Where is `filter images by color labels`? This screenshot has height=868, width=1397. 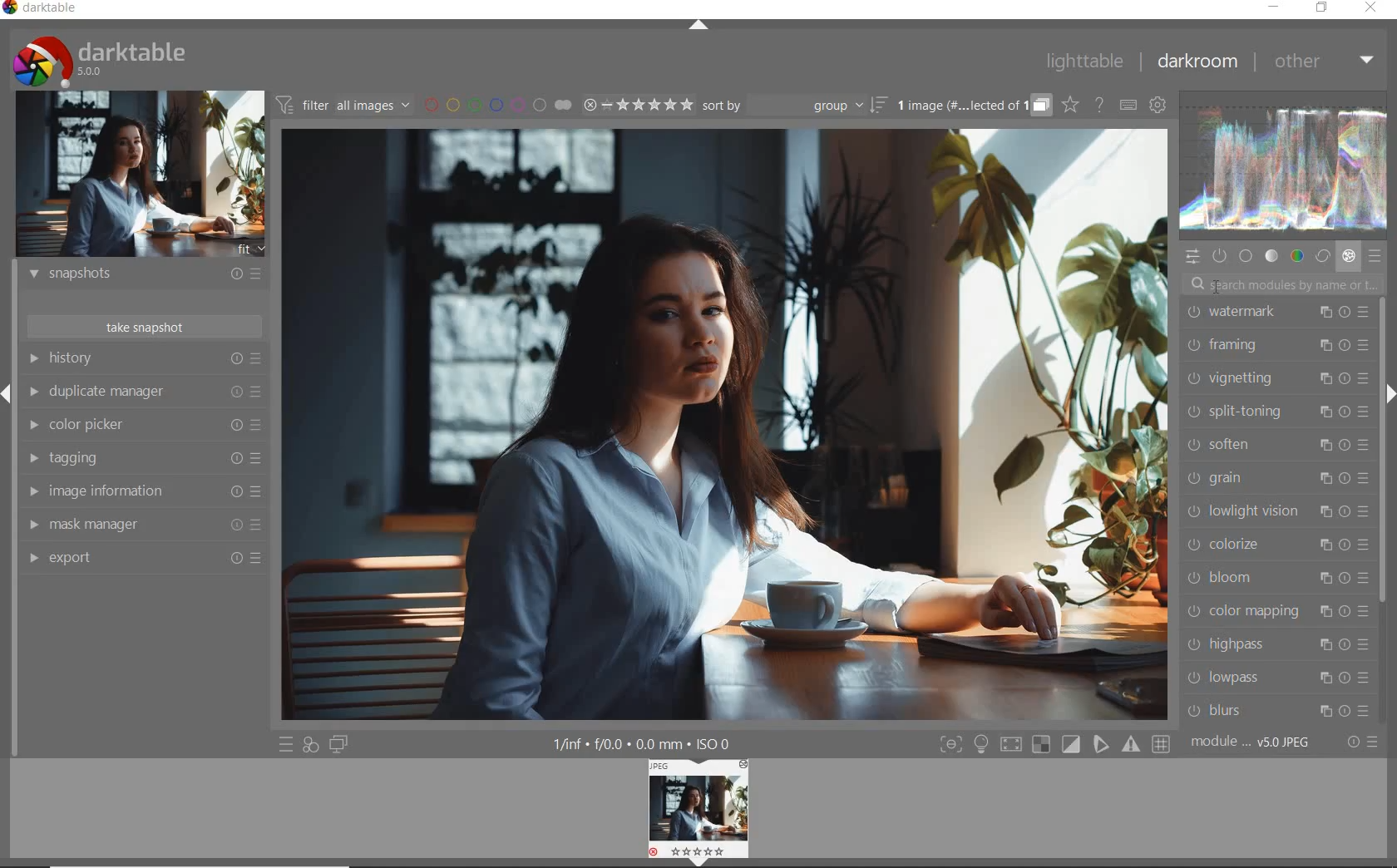 filter images by color labels is located at coordinates (496, 106).